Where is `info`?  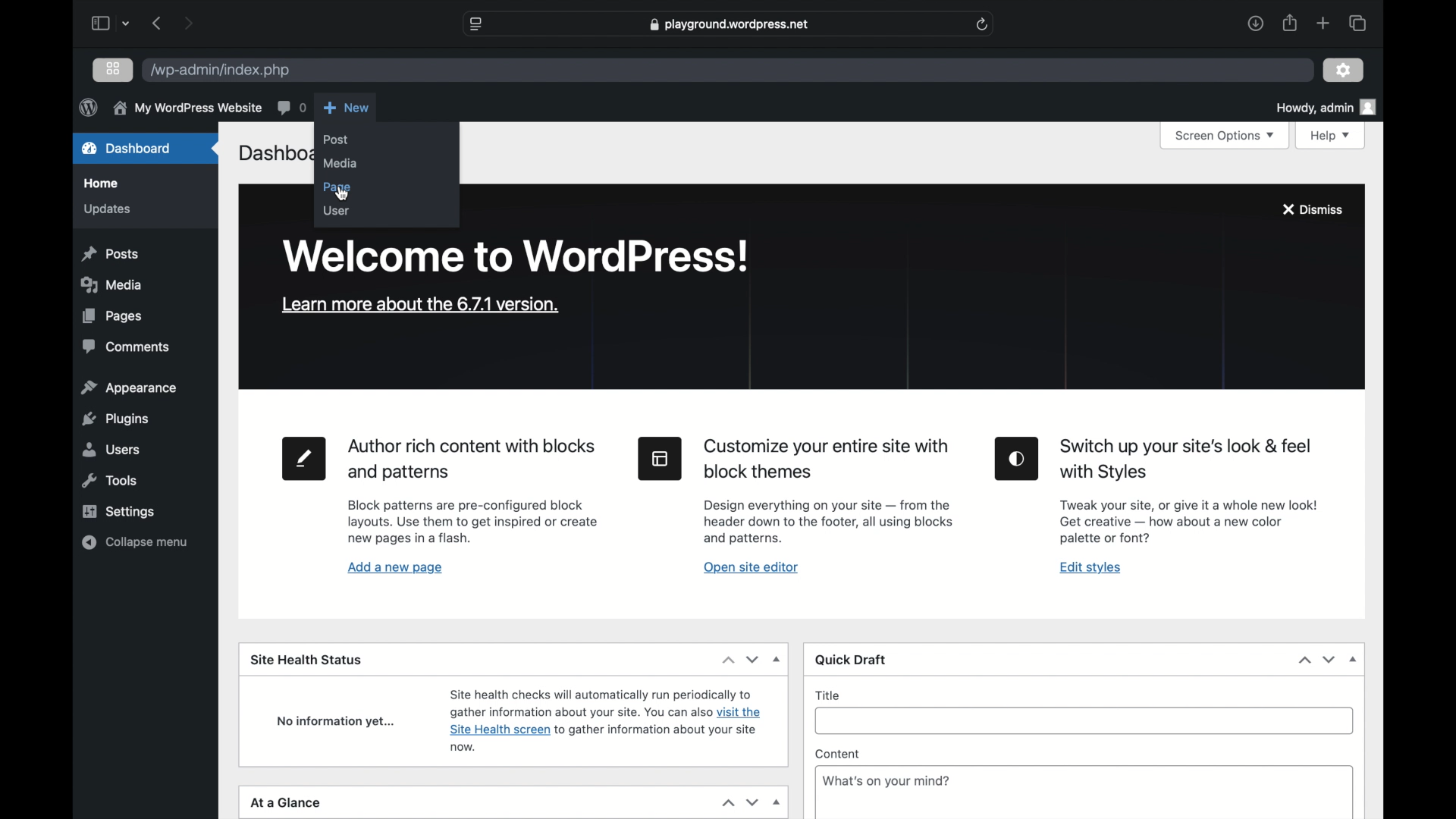 info is located at coordinates (886, 781).